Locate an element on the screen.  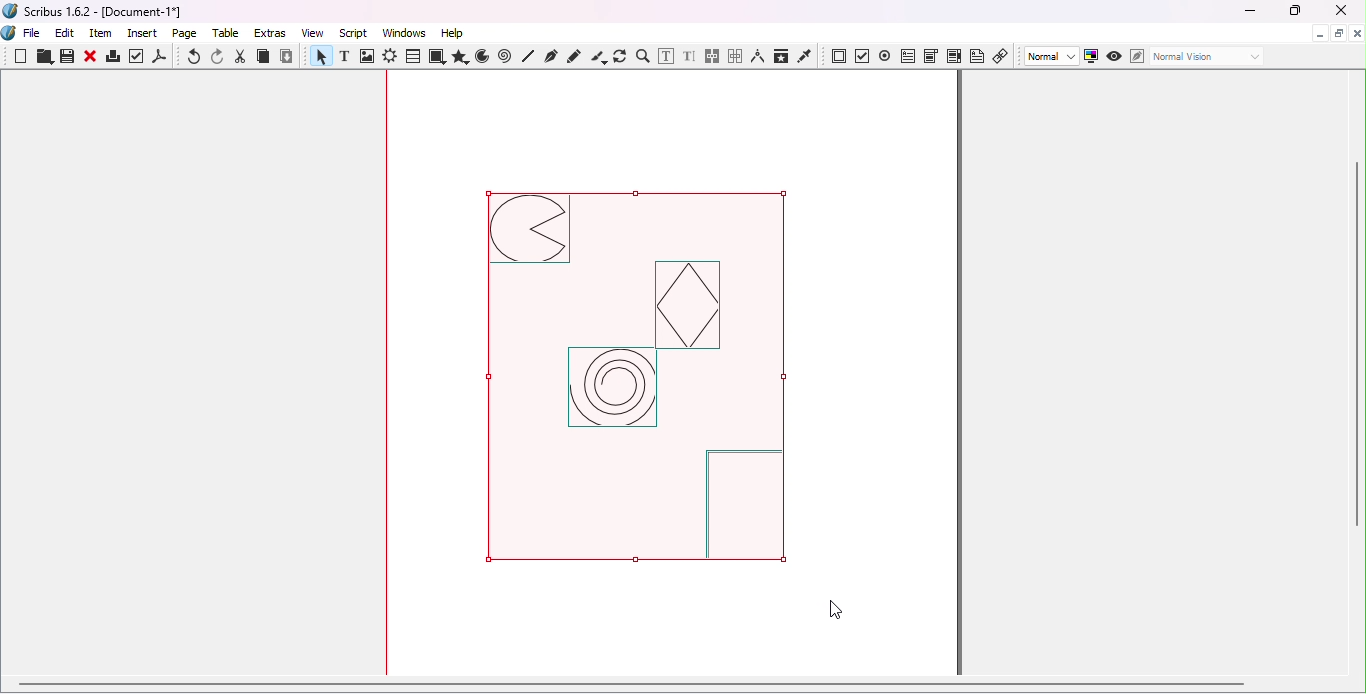
Image frame is located at coordinates (369, 58).